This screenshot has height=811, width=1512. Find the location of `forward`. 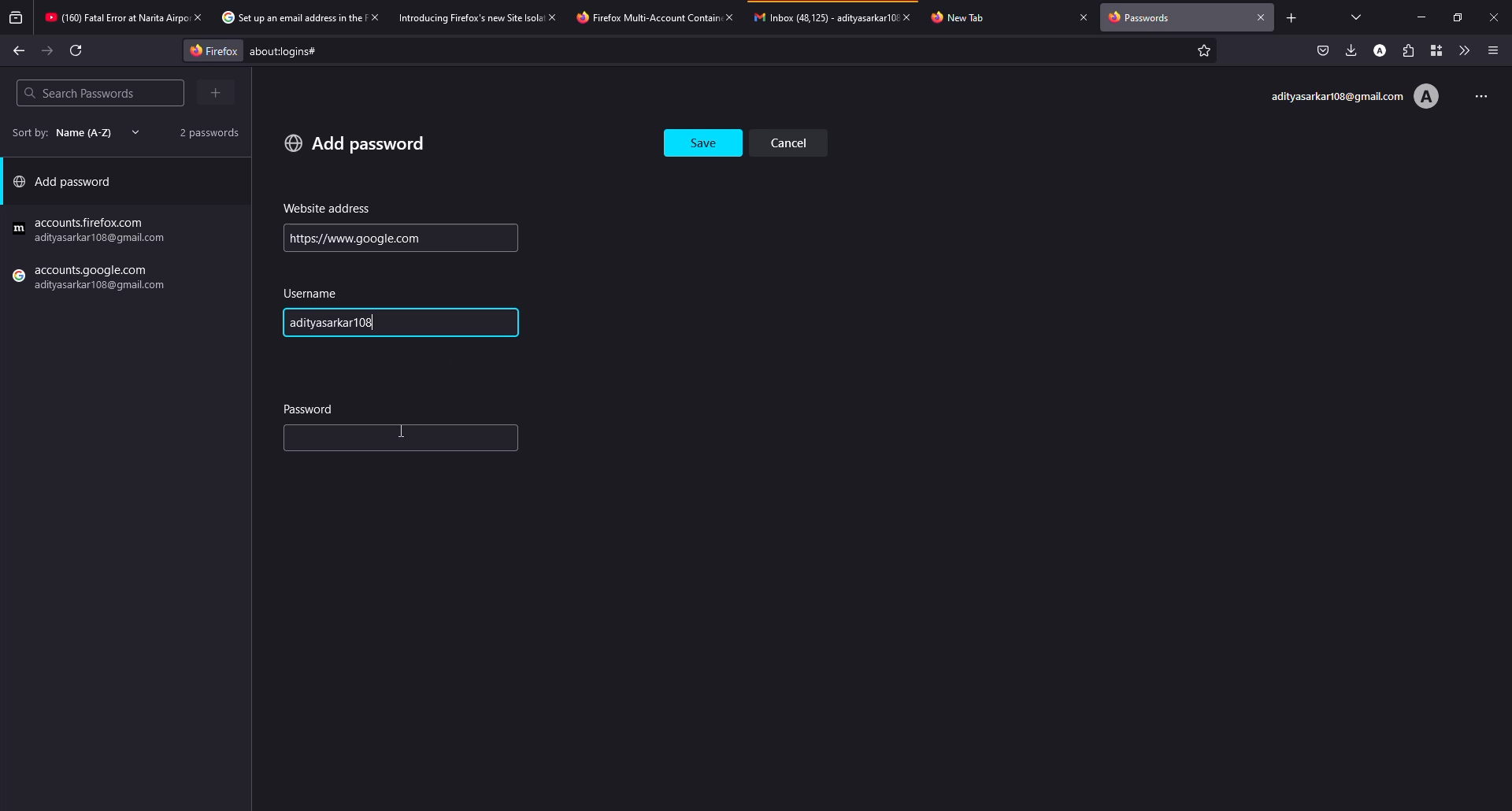

forward is located at coordinates (48, 51).